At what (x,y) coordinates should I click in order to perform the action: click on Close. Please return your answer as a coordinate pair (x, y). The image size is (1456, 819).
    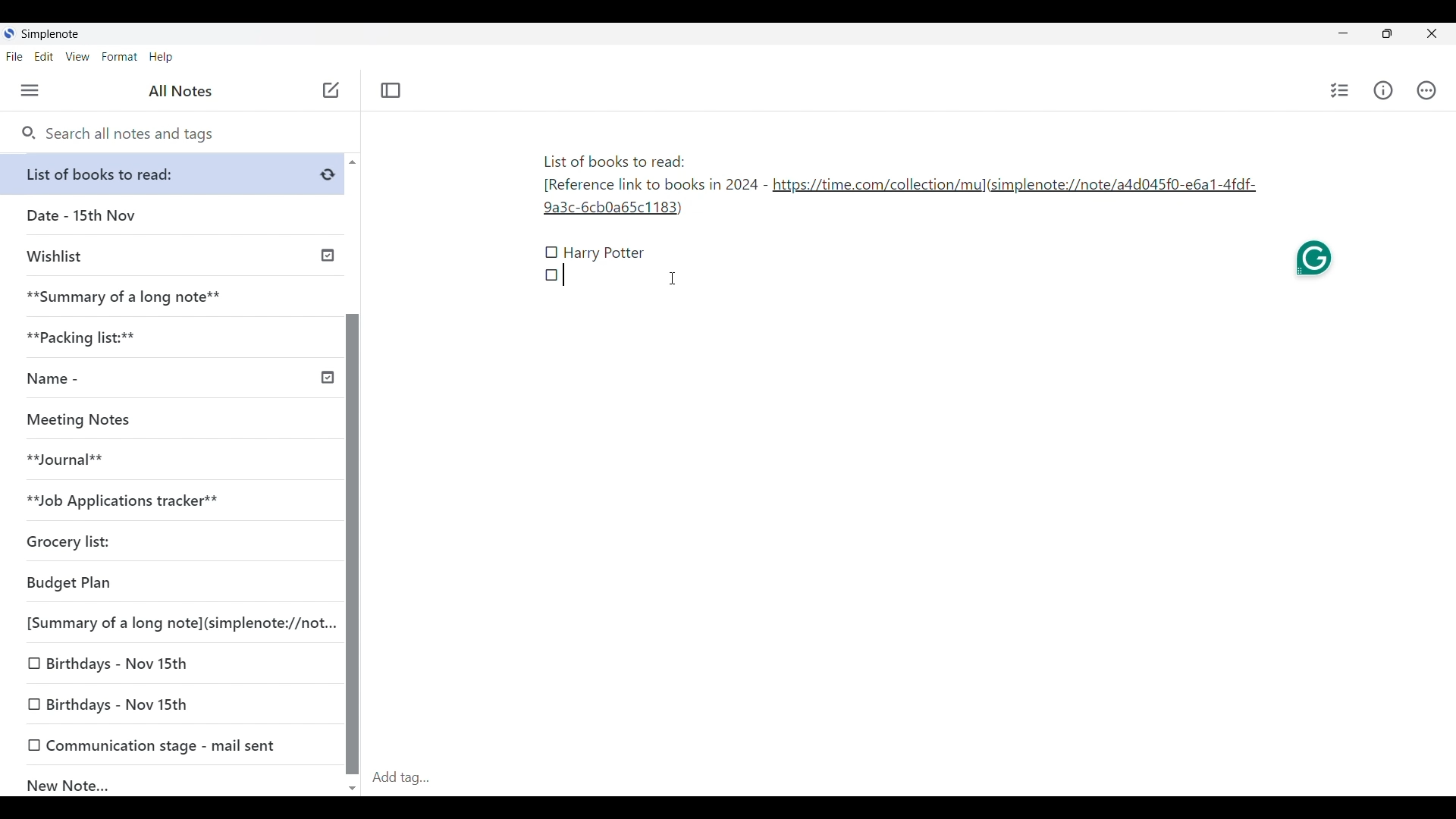
    Looking at the image, I should click on (1432, 34).